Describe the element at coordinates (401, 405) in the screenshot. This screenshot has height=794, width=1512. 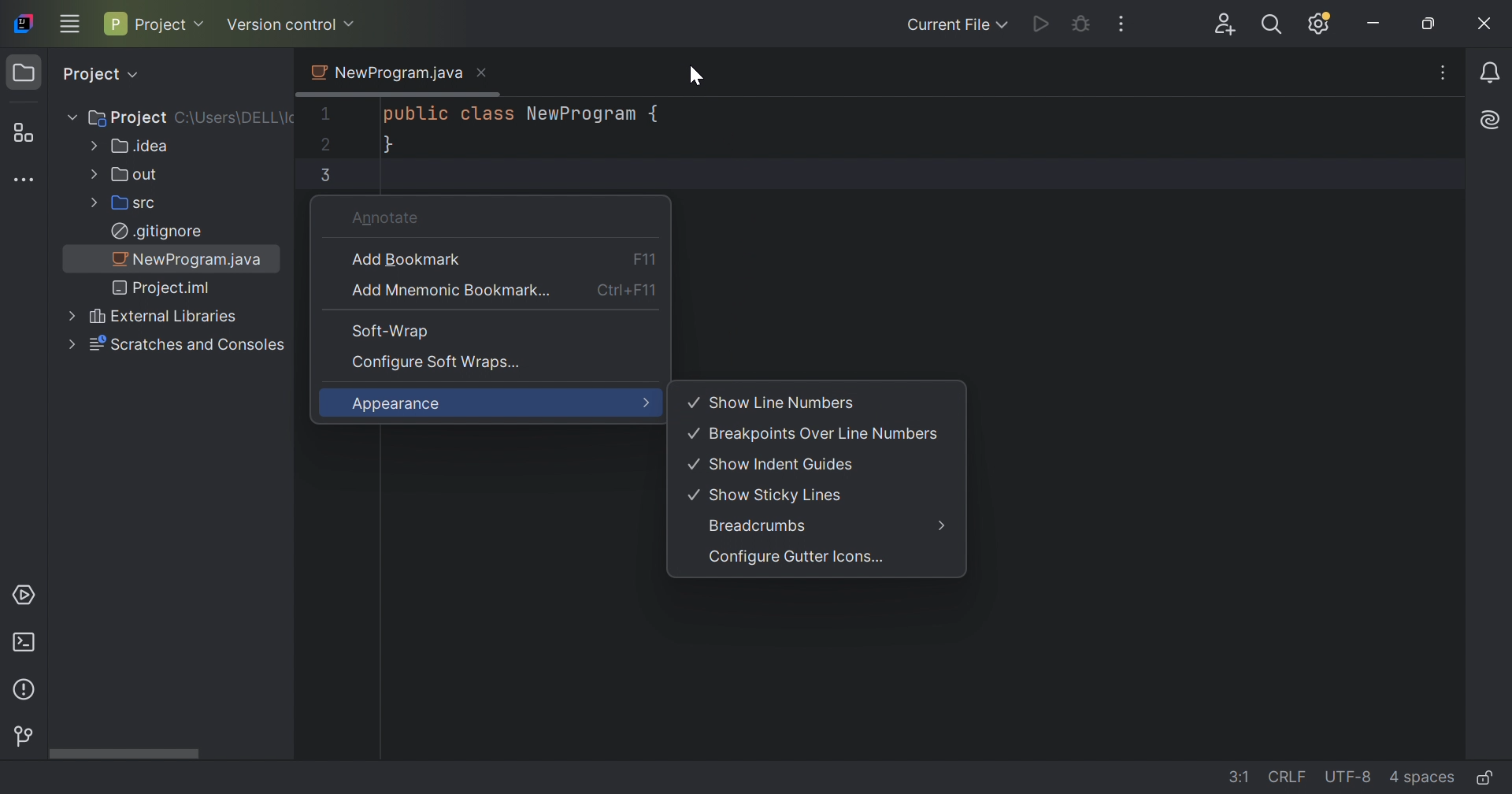
I see `Appearance` at that location.